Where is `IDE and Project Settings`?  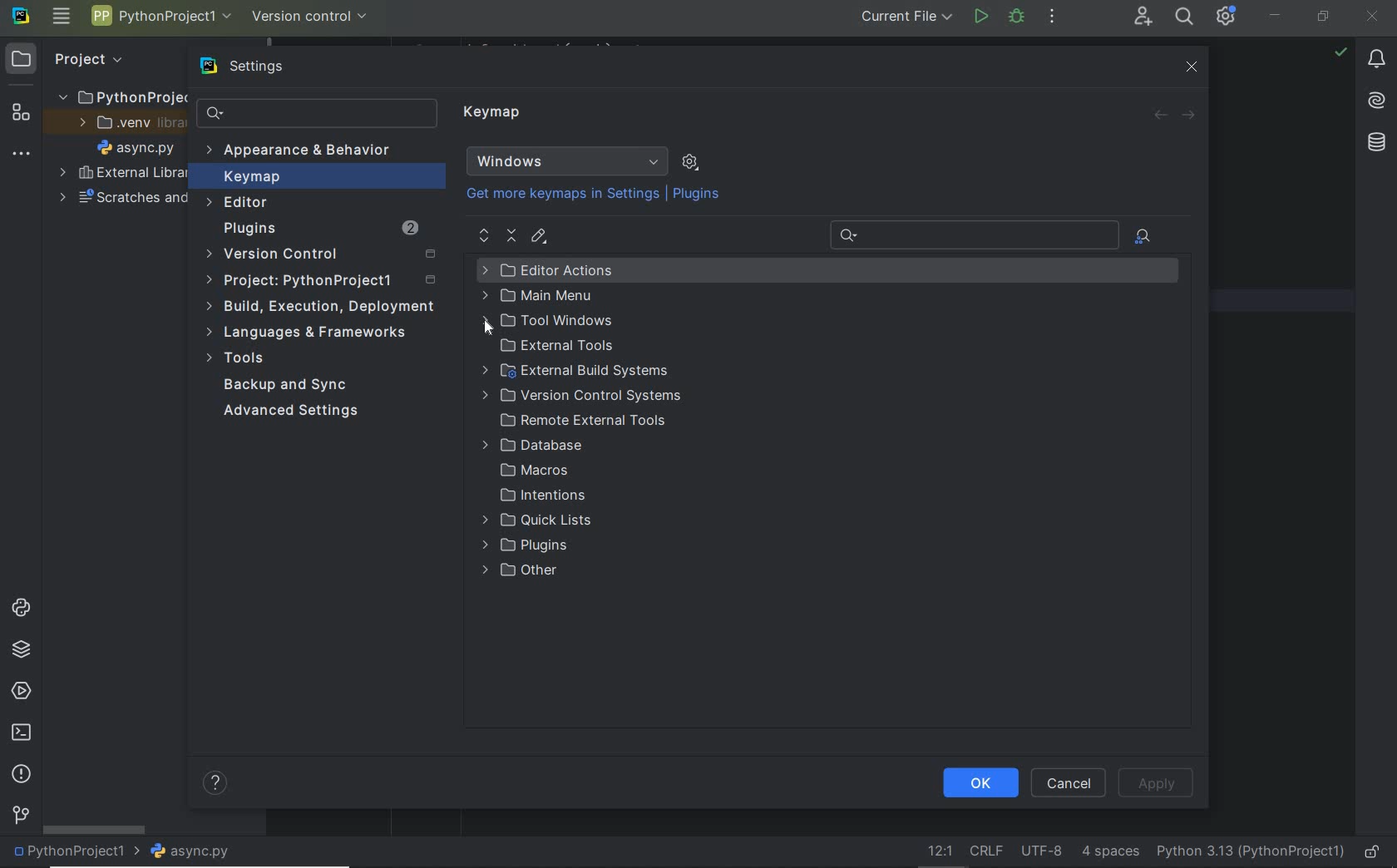
IDE and Project Settings is located at coordinates (1227, 17).